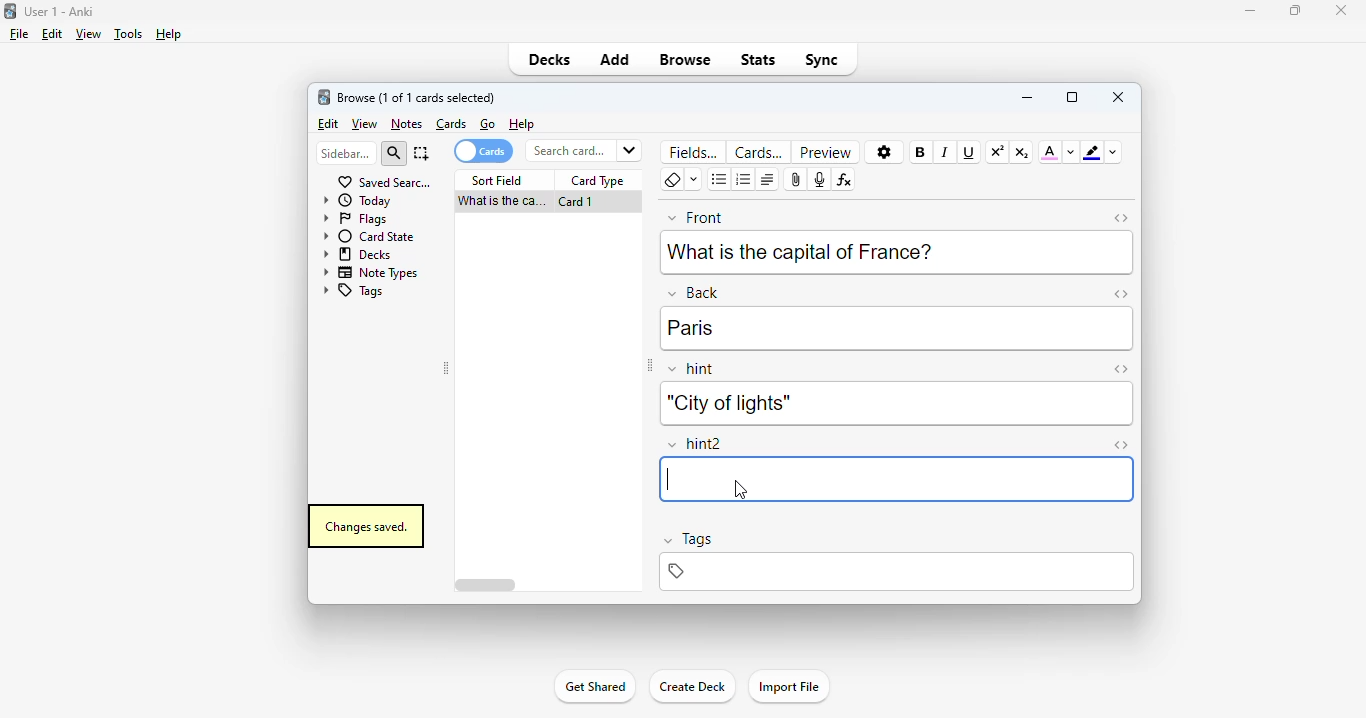  I want to click on toggle sidebar, so click(648, 366).